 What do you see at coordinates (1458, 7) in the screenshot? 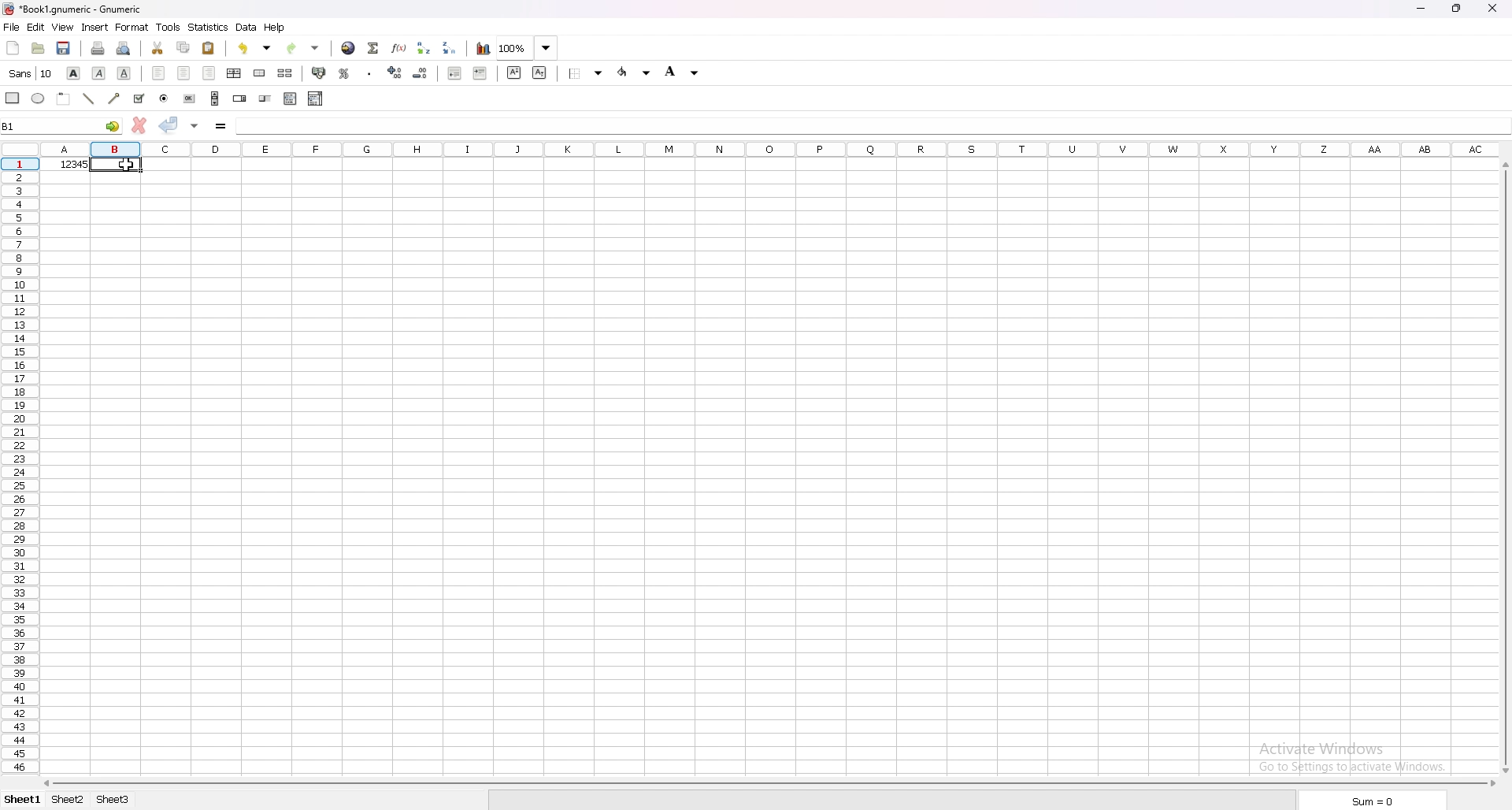
I see `resize` at bounding box center [1458, 7].